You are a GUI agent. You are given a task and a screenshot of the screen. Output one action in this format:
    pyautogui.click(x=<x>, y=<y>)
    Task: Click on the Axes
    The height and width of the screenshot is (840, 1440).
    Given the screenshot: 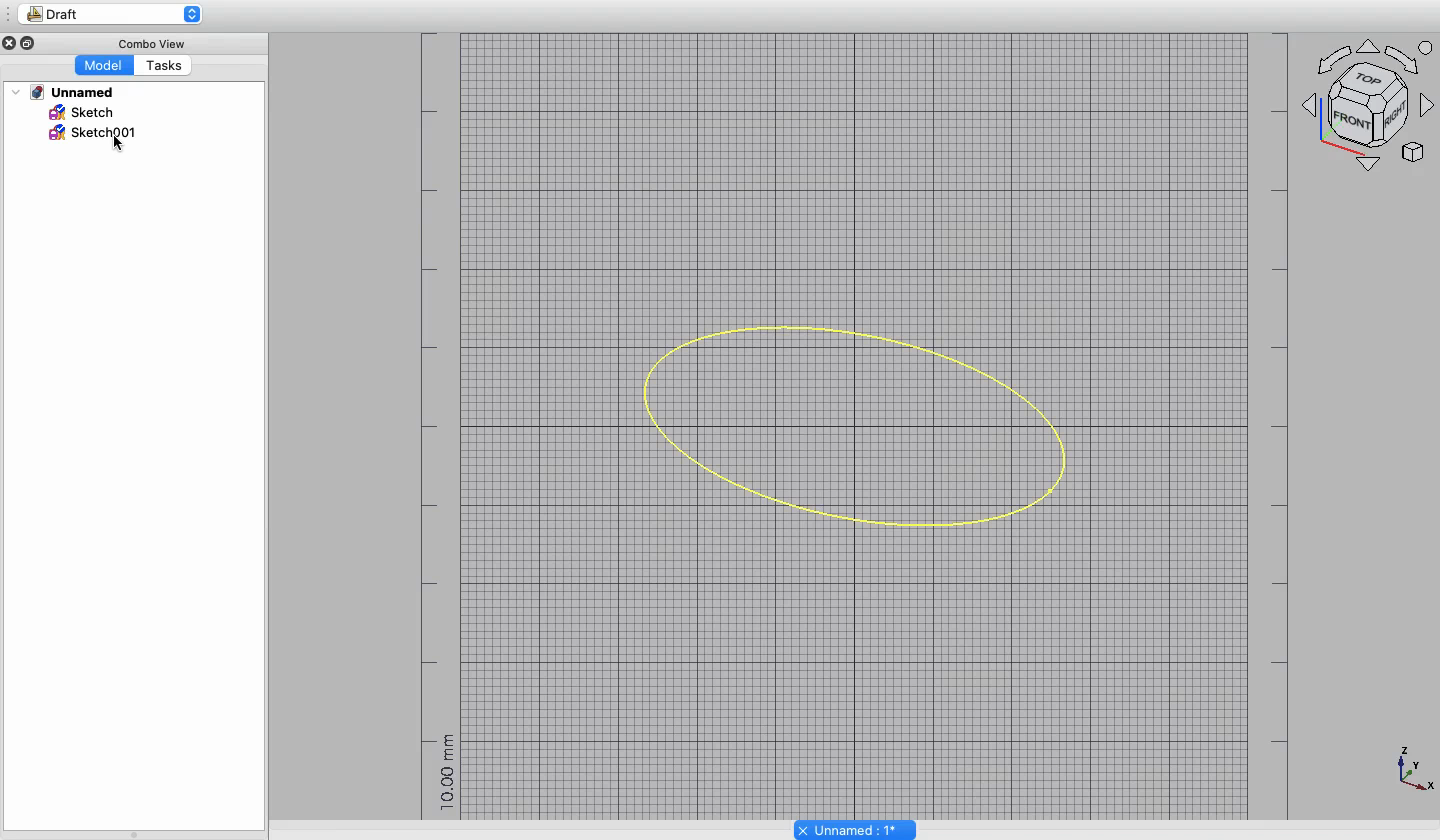 What is the action you would take?
    pyautogui.click(x=1414, y=773)
    